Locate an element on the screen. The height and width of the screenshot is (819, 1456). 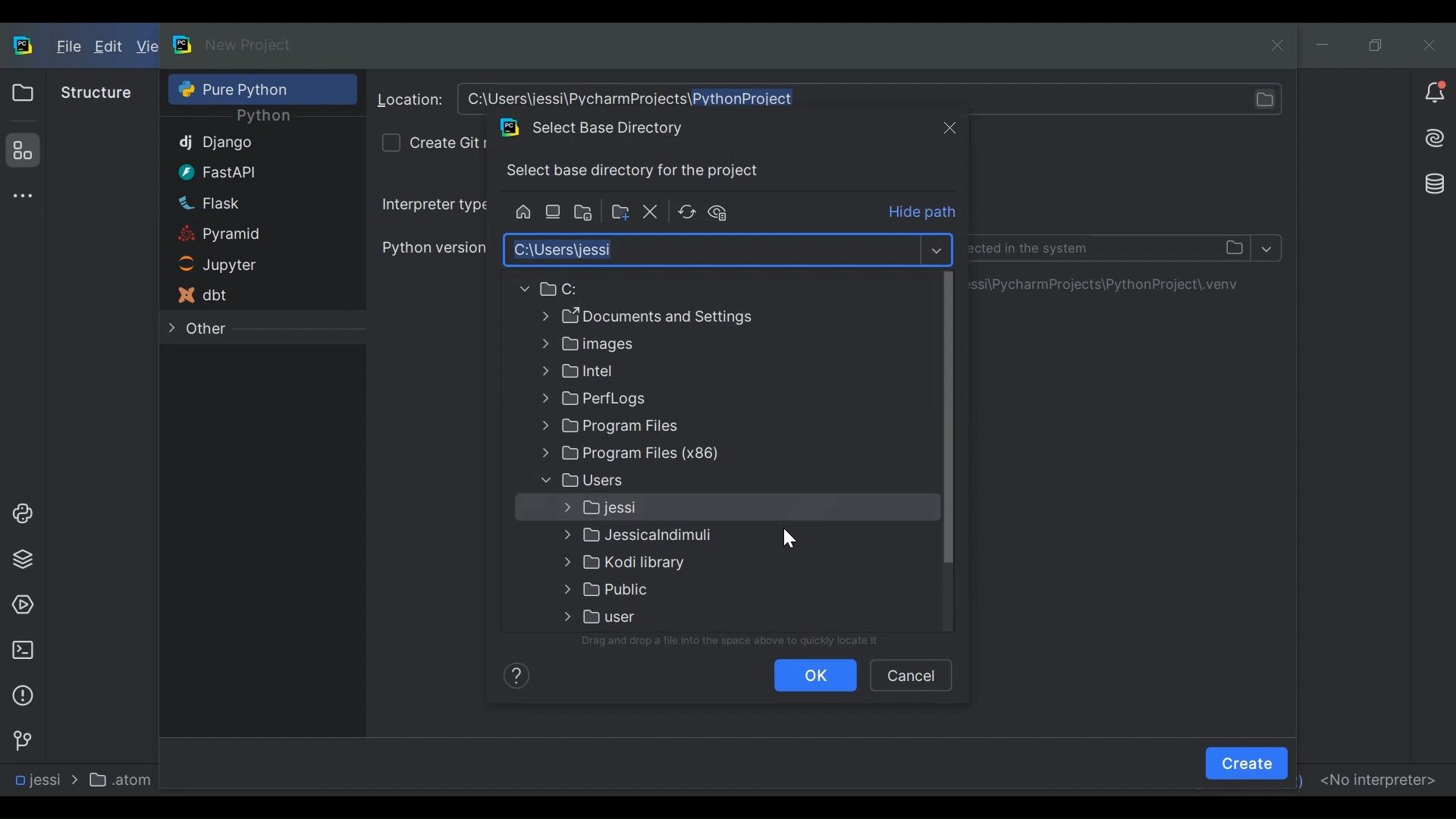
submenu Folder Path is located at coordinates (668, 564).